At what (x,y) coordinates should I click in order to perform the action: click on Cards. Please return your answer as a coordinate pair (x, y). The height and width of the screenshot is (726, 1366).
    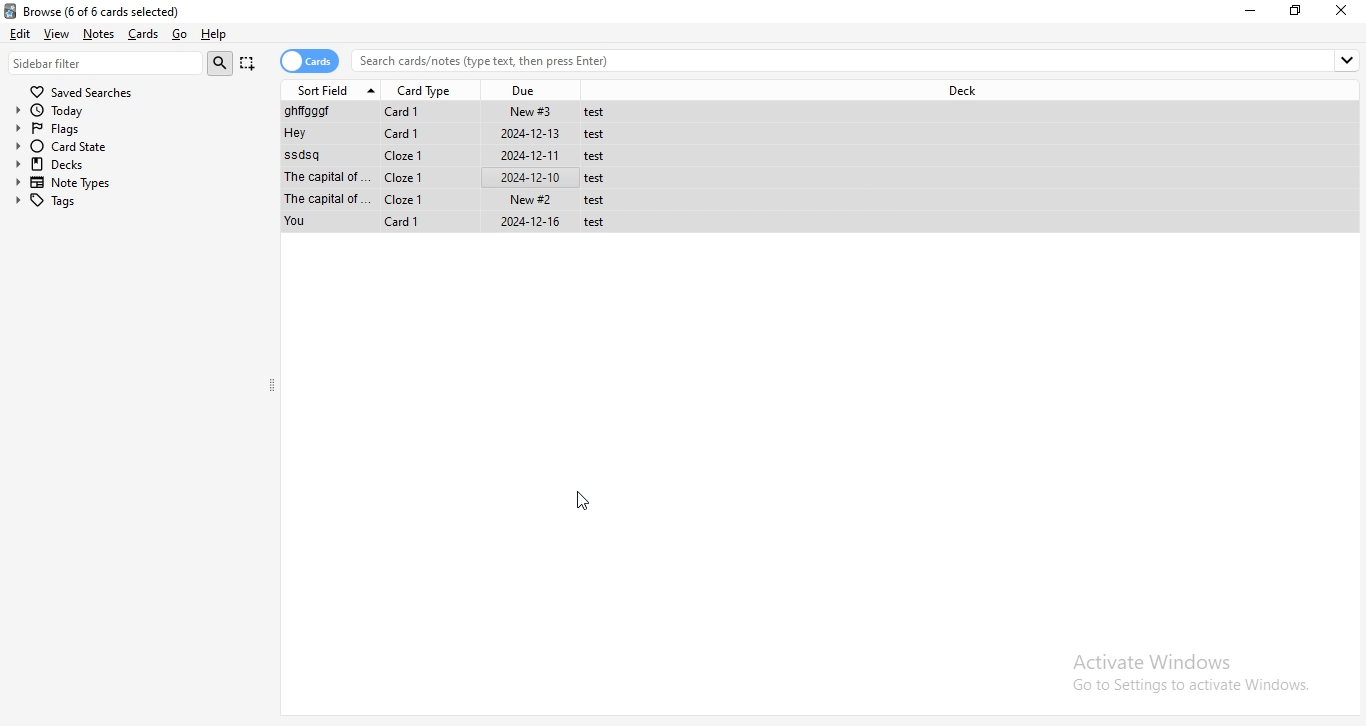
    Looking at the image, I should click on (146, 34).